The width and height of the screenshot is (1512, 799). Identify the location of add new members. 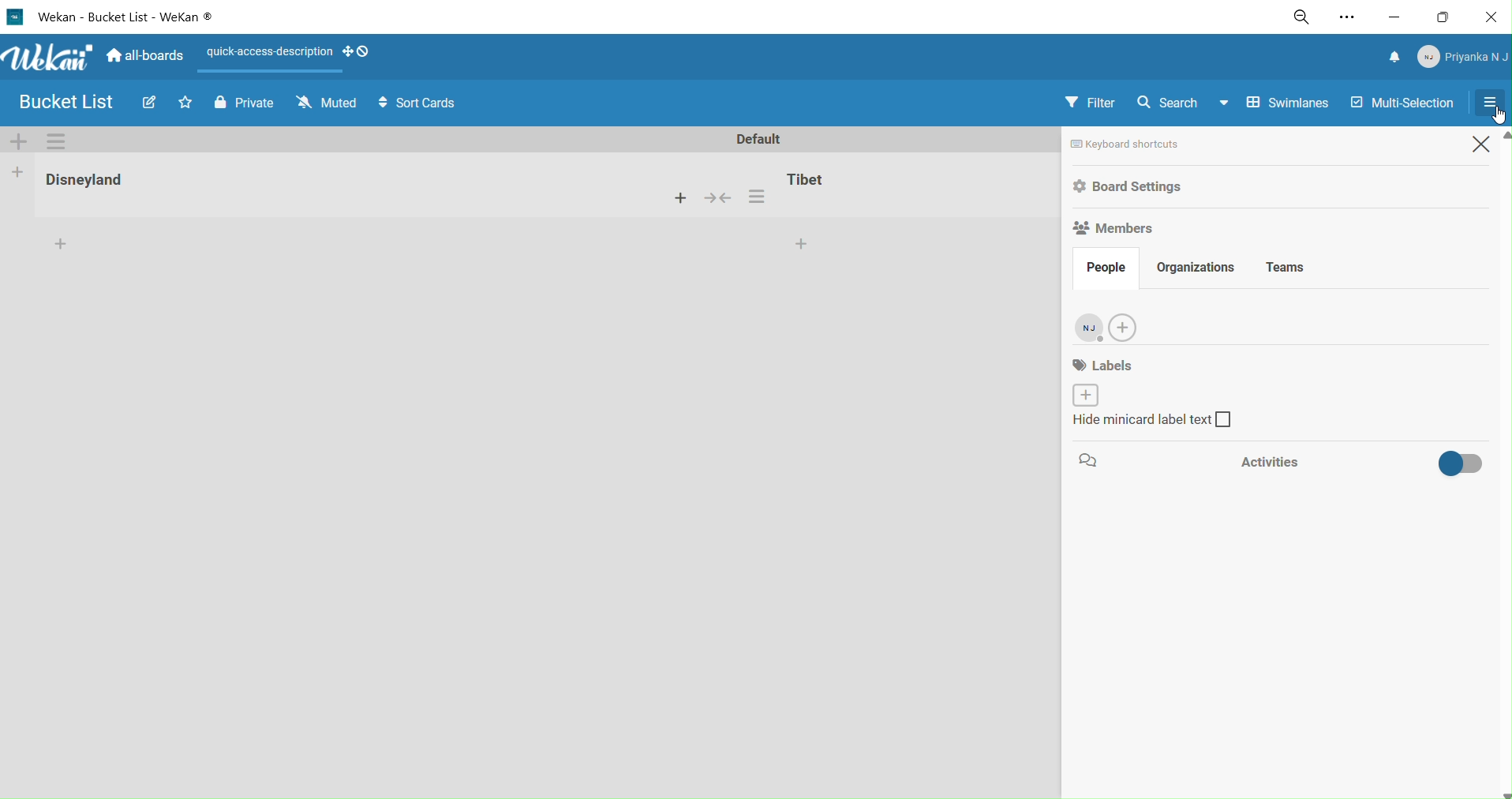
(1132, 319).